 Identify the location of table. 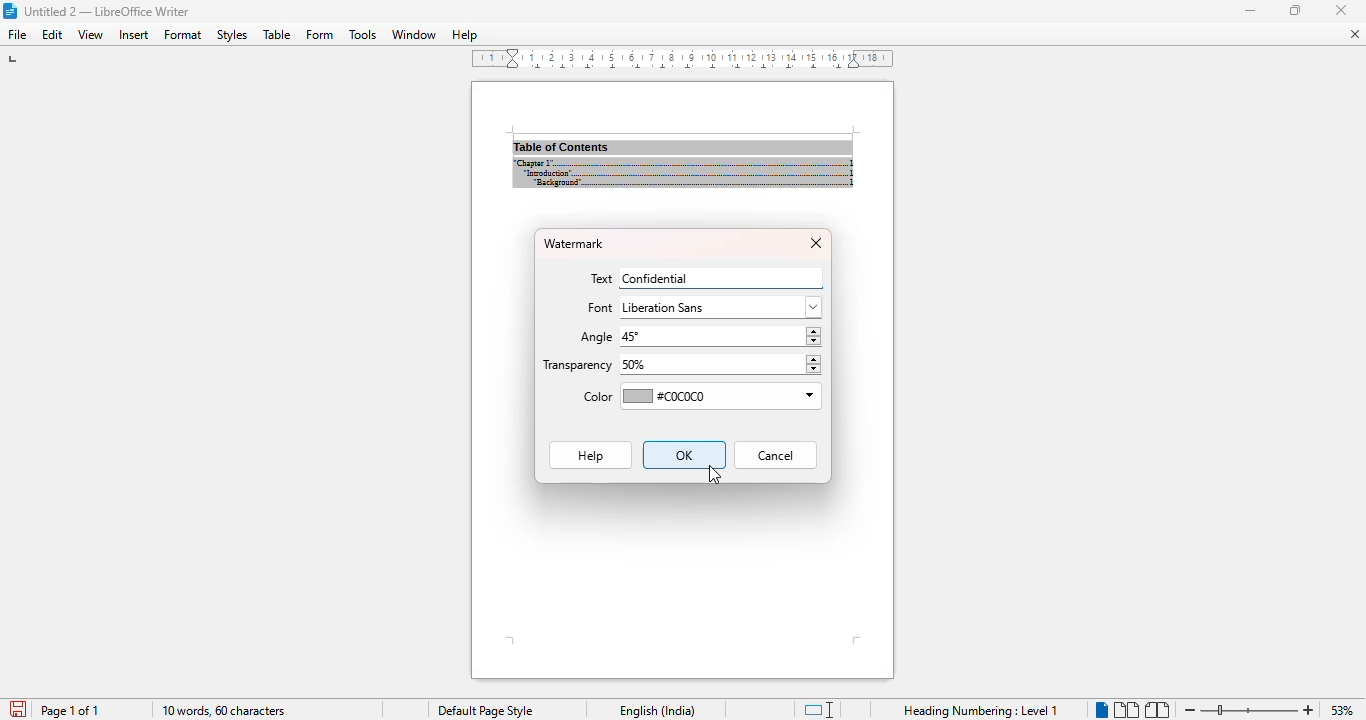
(277, 34).